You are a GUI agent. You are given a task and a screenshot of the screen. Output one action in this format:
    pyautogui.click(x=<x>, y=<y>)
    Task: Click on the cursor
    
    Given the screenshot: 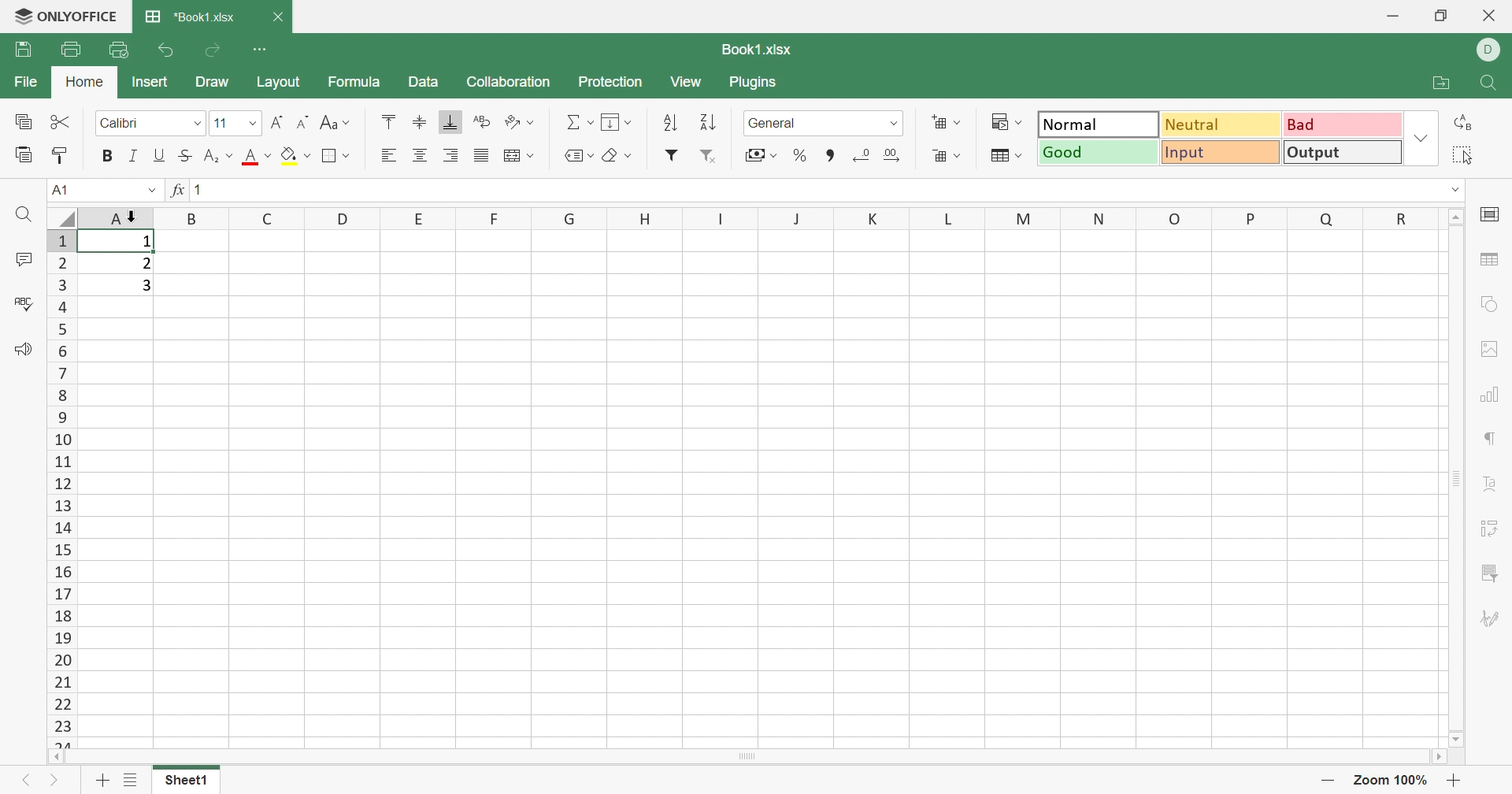 What is the action you would take?
    pyautogui.click(x=133, y=215)
    